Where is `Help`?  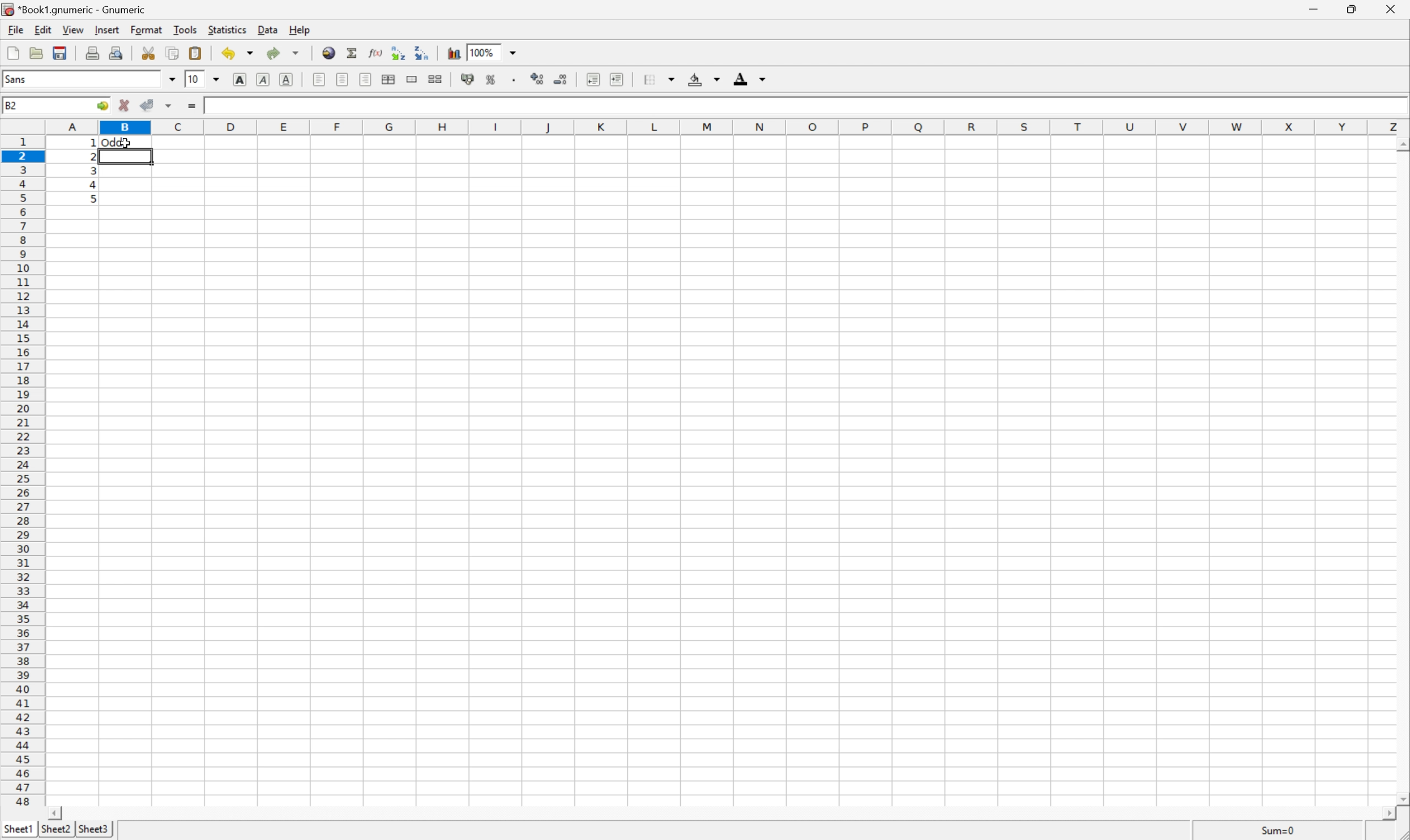
Help is located at coordinates (301, 29).